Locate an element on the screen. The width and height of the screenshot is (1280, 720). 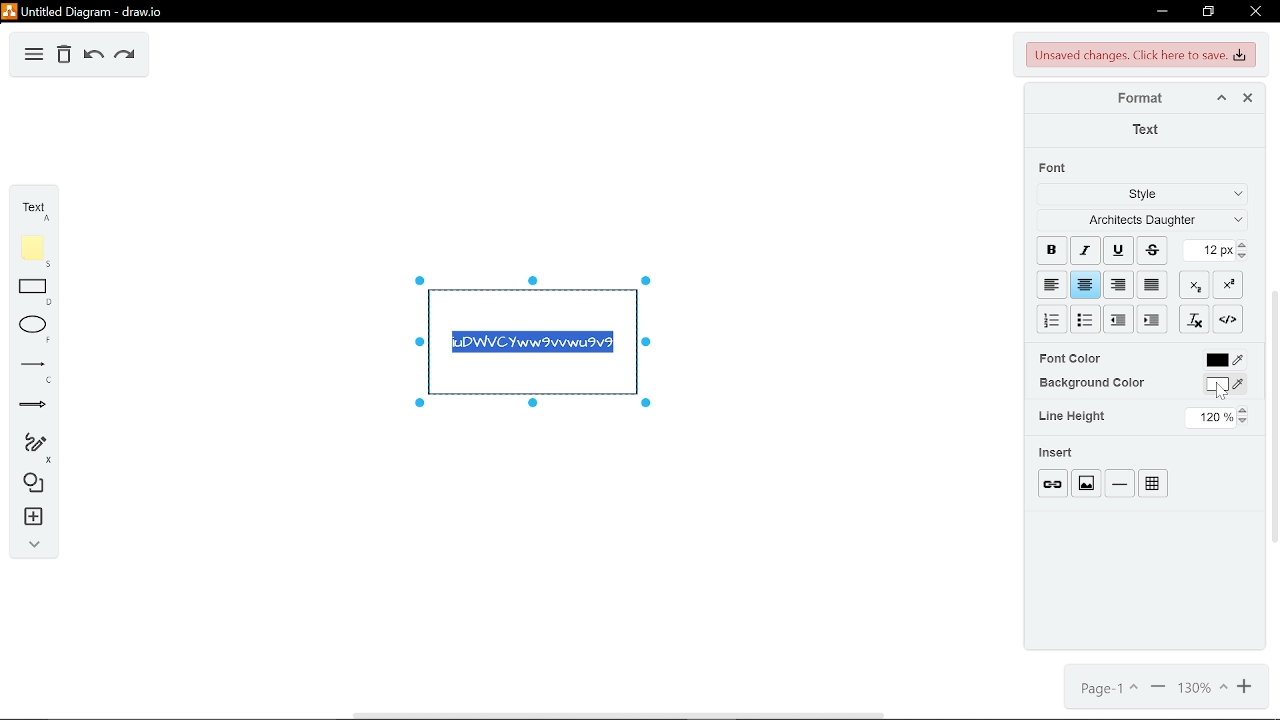
text is located at coordinates (30, 206).